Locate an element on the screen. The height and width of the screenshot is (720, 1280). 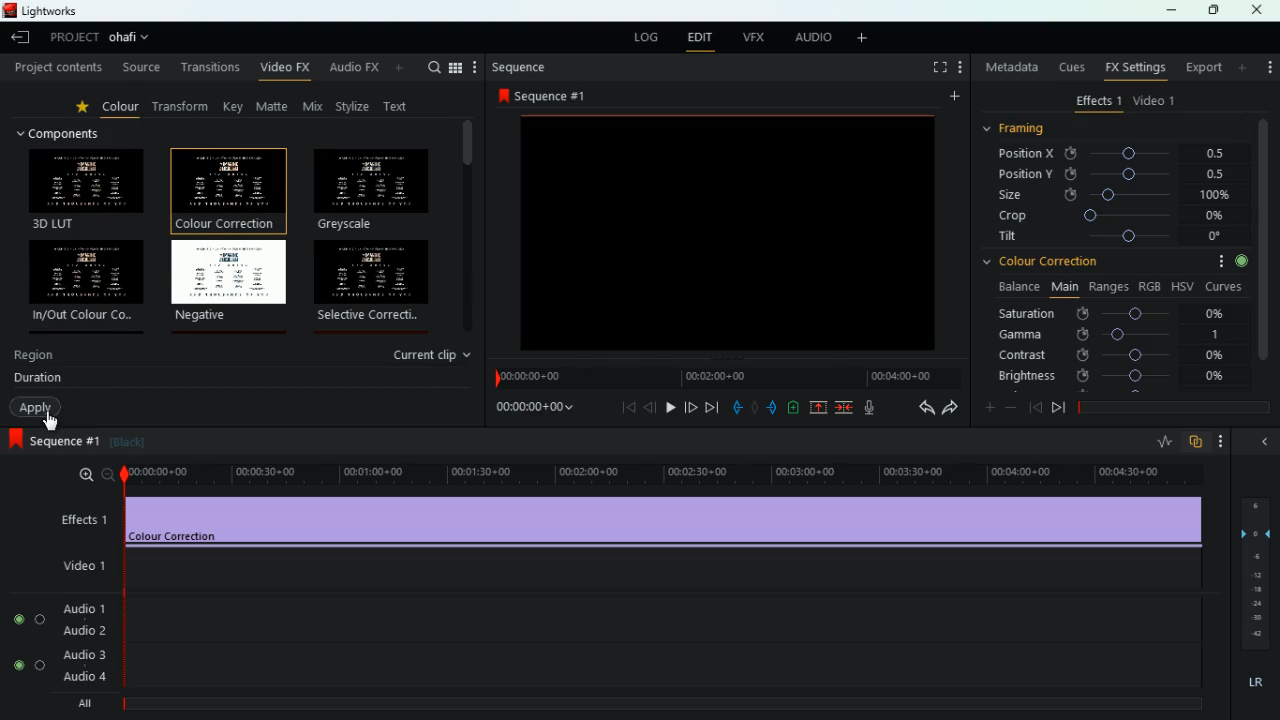
project name is located at coordinates (132, 37).